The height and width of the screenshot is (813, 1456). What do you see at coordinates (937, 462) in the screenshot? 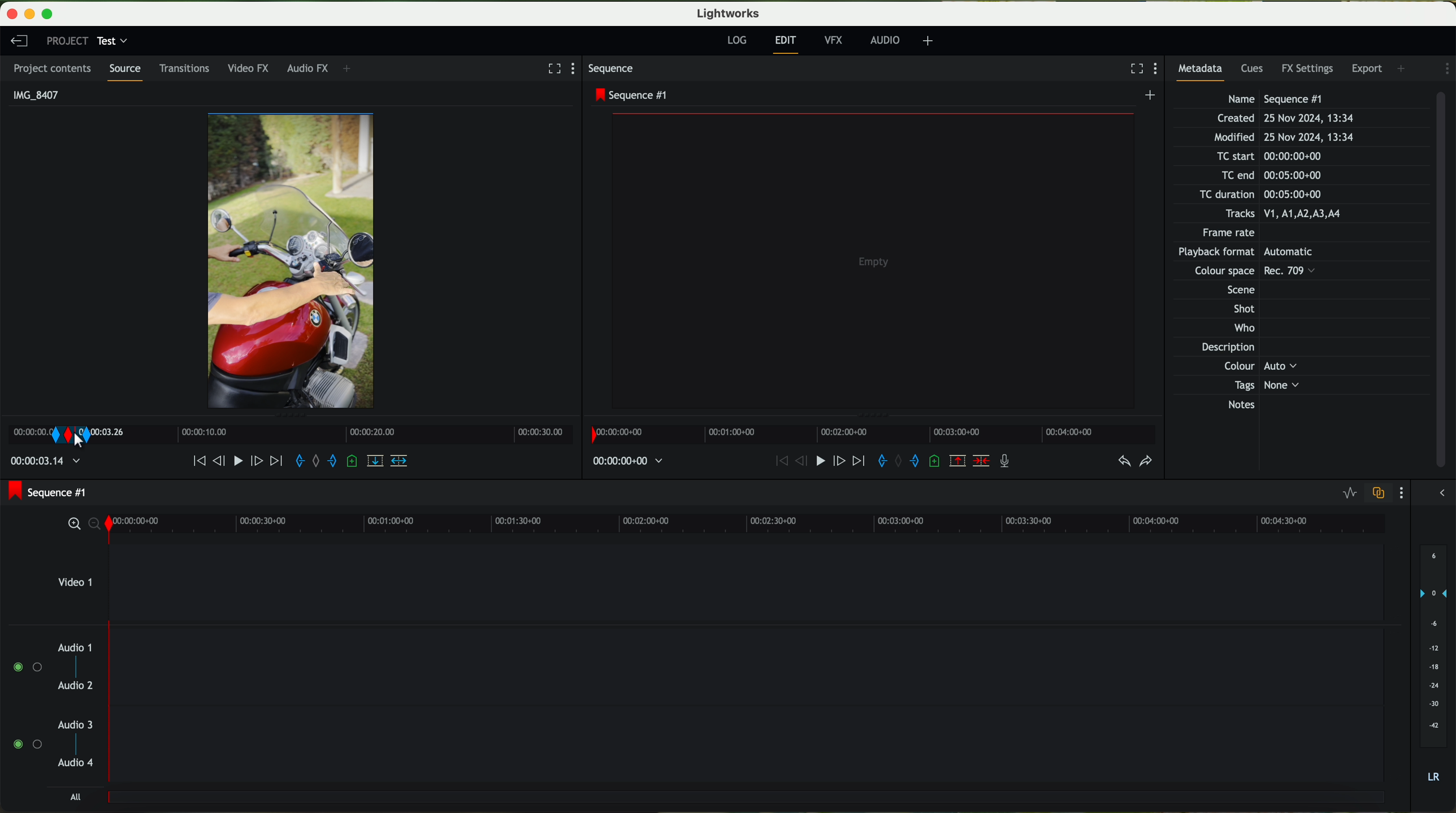
I see `add a cue at the current position` at bounding box center [937, 462].